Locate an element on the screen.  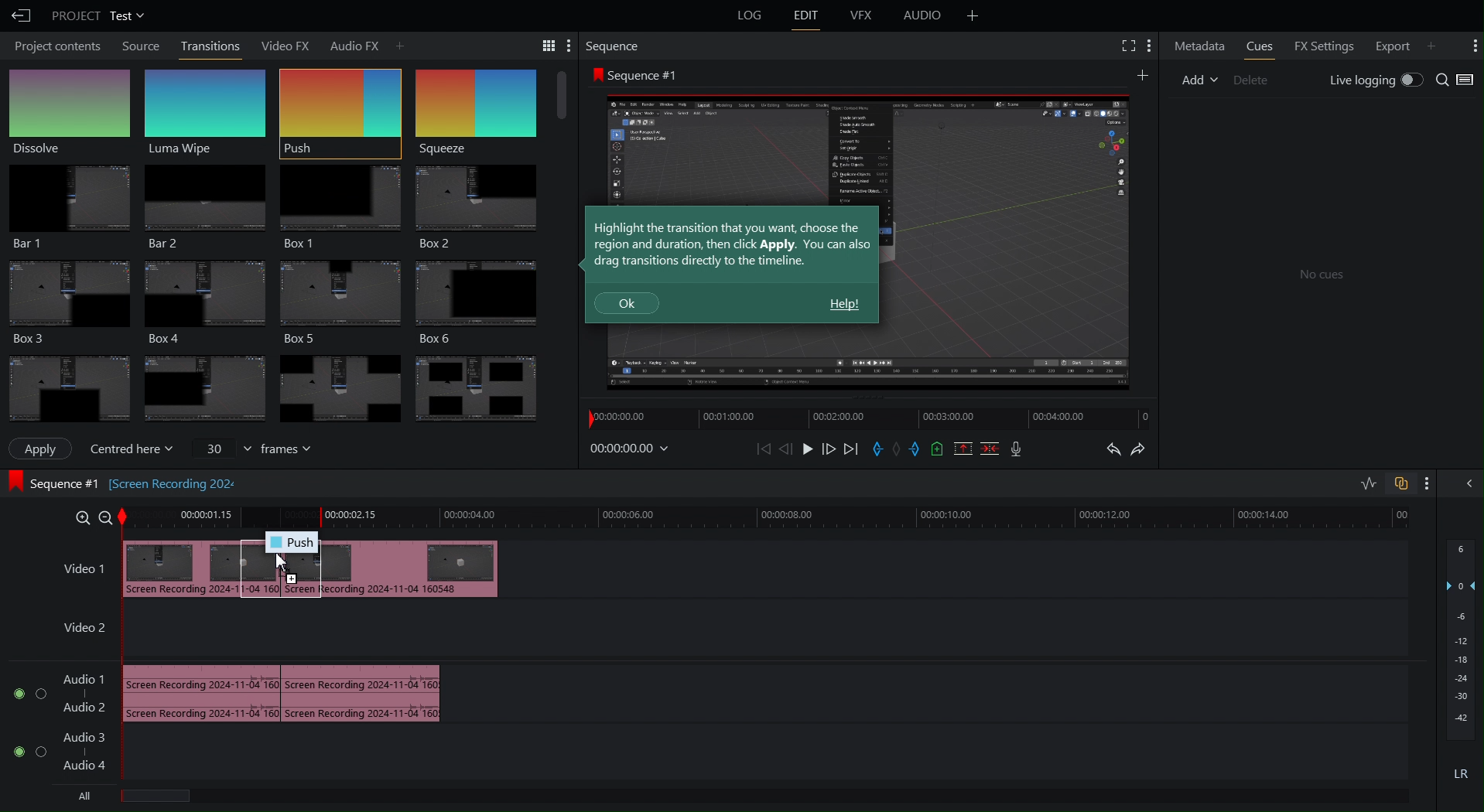
Cues is located at coordinates (1259, 45).